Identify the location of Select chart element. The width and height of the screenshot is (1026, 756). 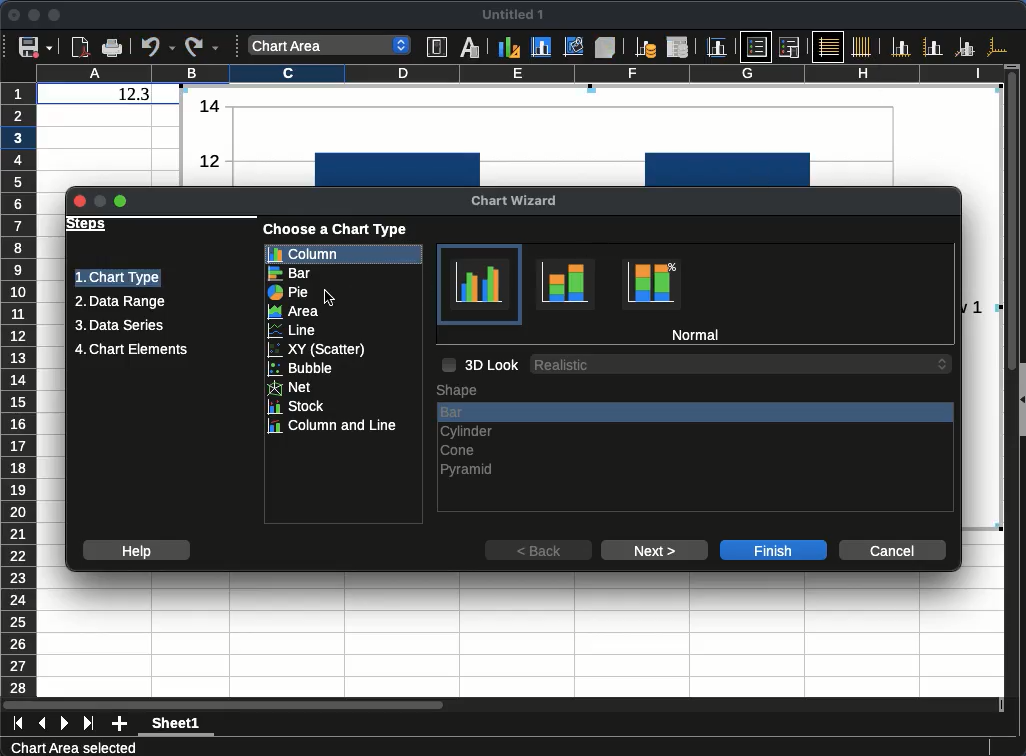
(330, 45).